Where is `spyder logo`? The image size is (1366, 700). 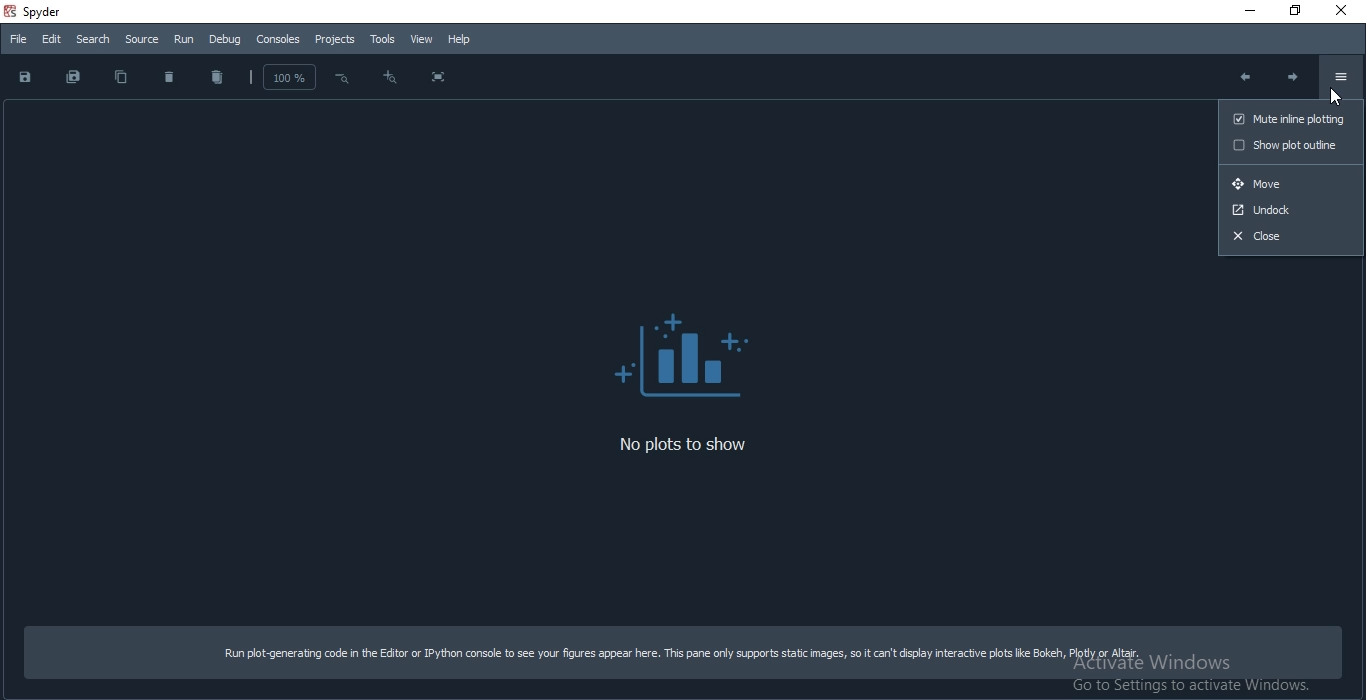
spyder logo is located at coordinates (9, 14).